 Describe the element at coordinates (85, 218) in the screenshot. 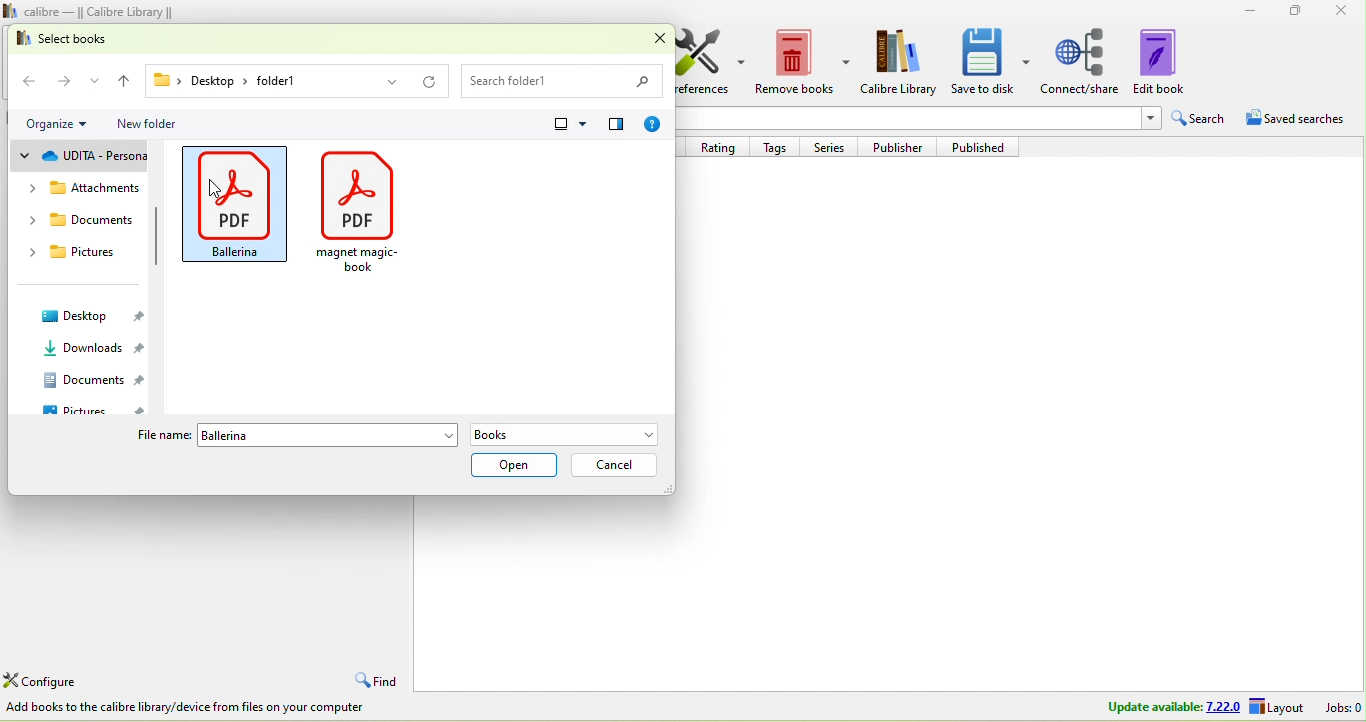

I see `documents` at that location.